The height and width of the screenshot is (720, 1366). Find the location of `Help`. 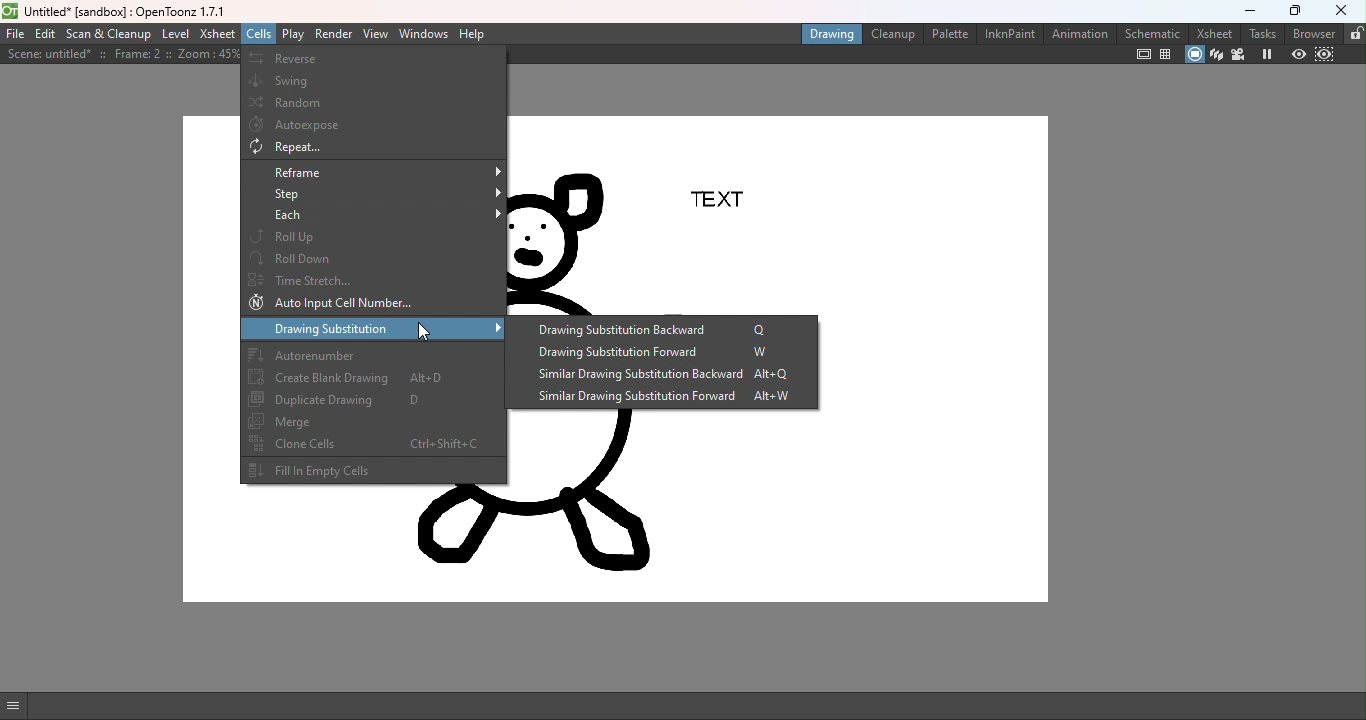

Help is located at coordinates (476, 34).